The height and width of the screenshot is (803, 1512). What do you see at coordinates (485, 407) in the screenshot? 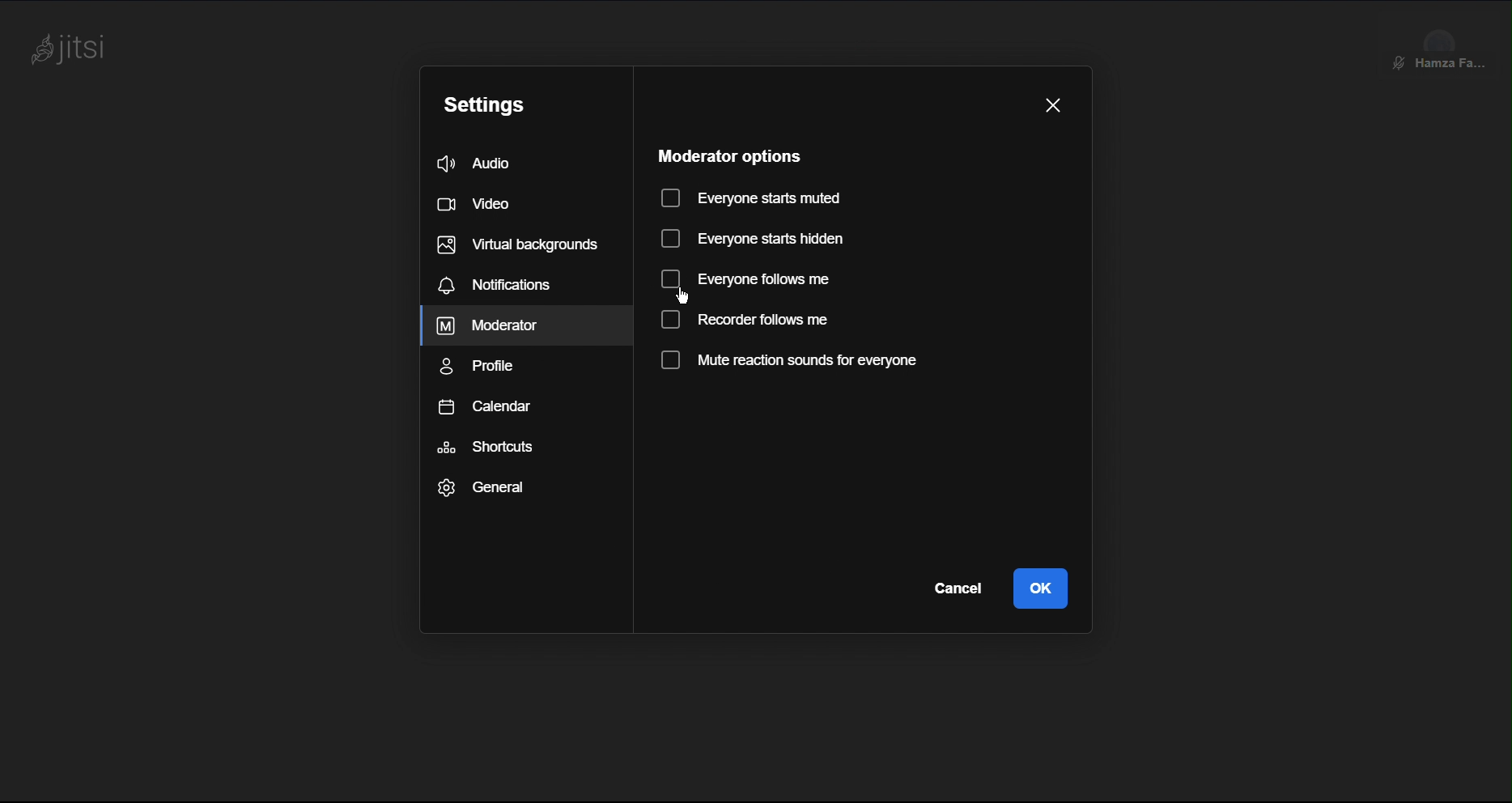
I see `Calendar` at bounding box center [485, 407].